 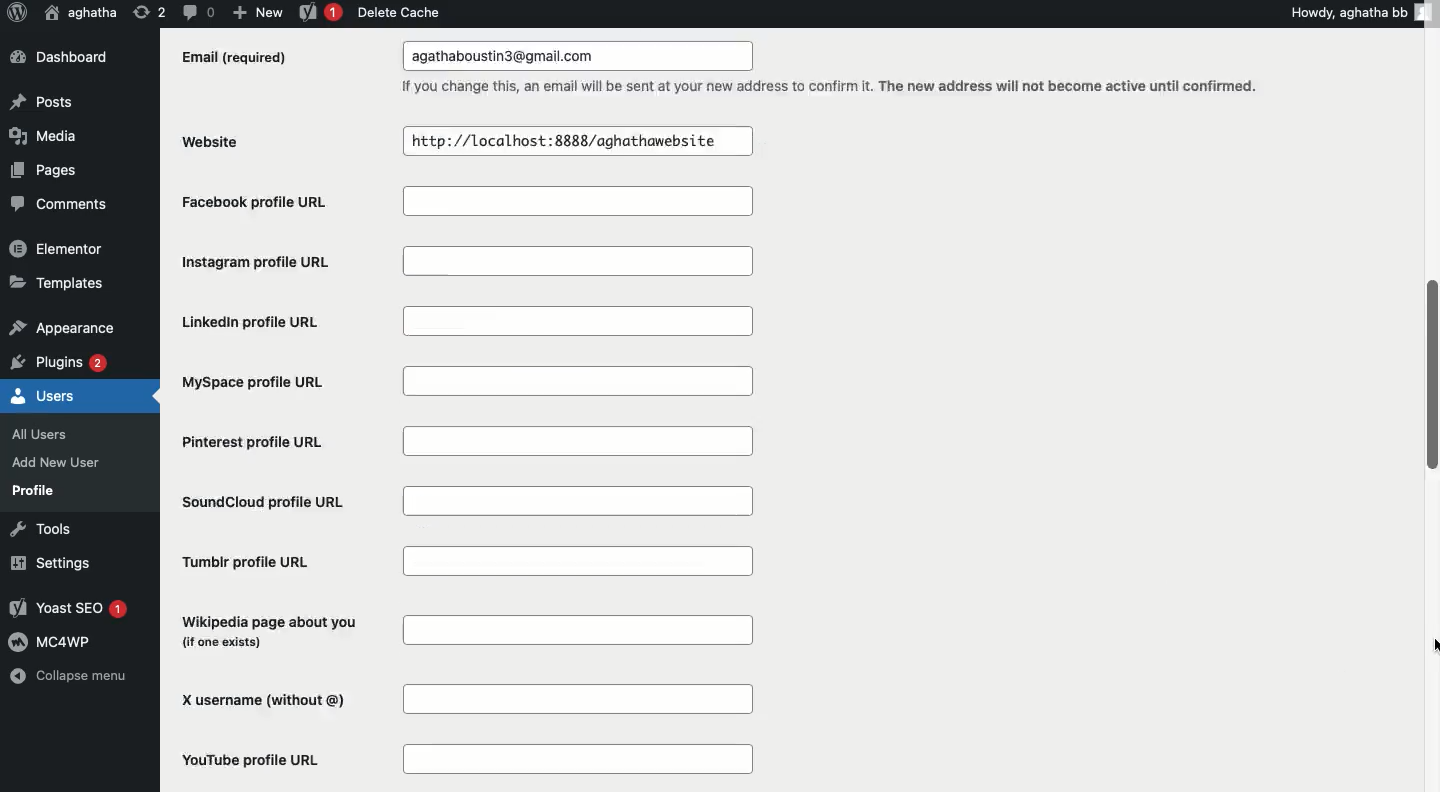 I want to click on Users, so click(x=44, y=394).